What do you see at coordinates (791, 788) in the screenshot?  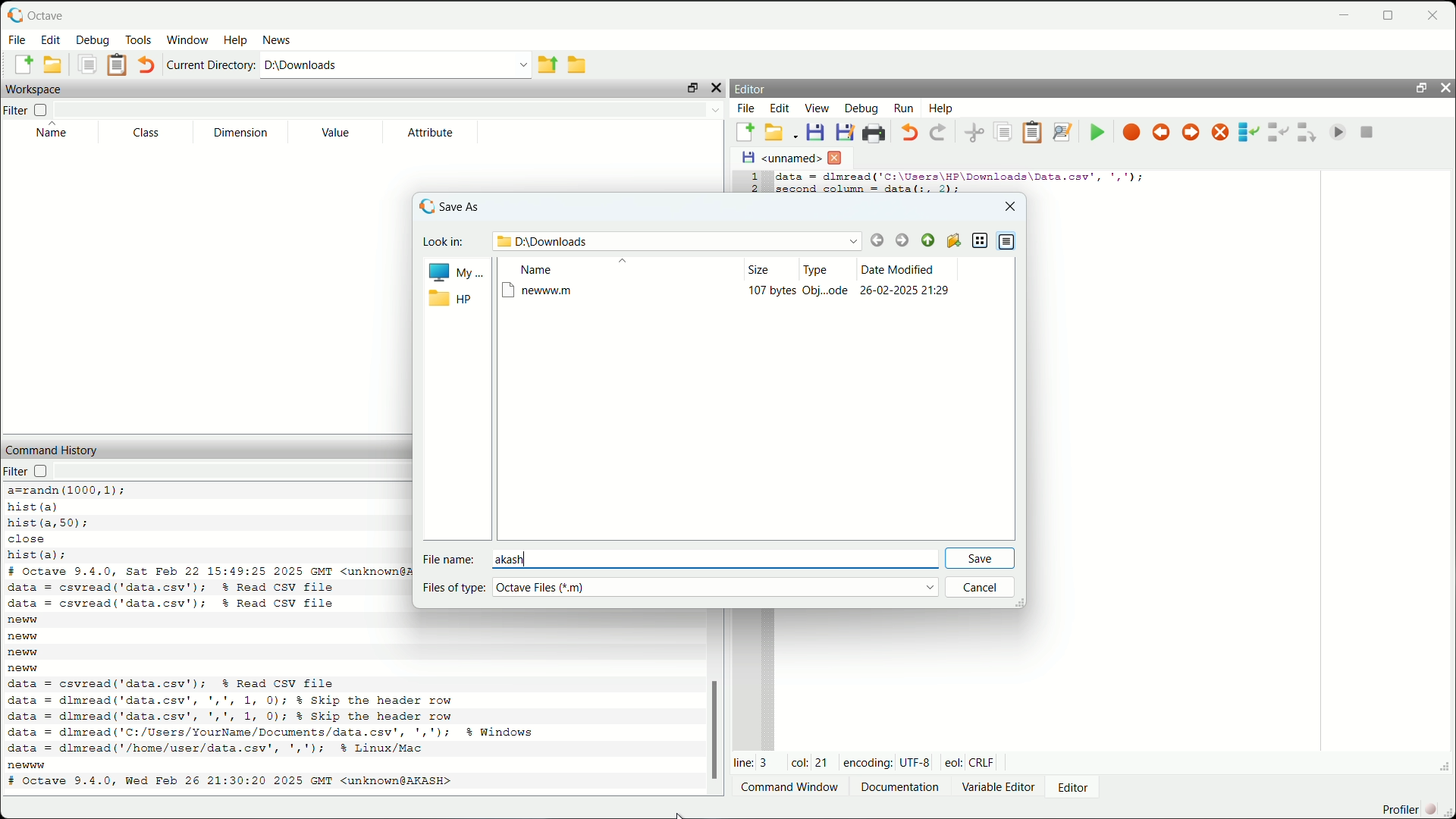 I see `Command window` at bounding box center [791, 788].